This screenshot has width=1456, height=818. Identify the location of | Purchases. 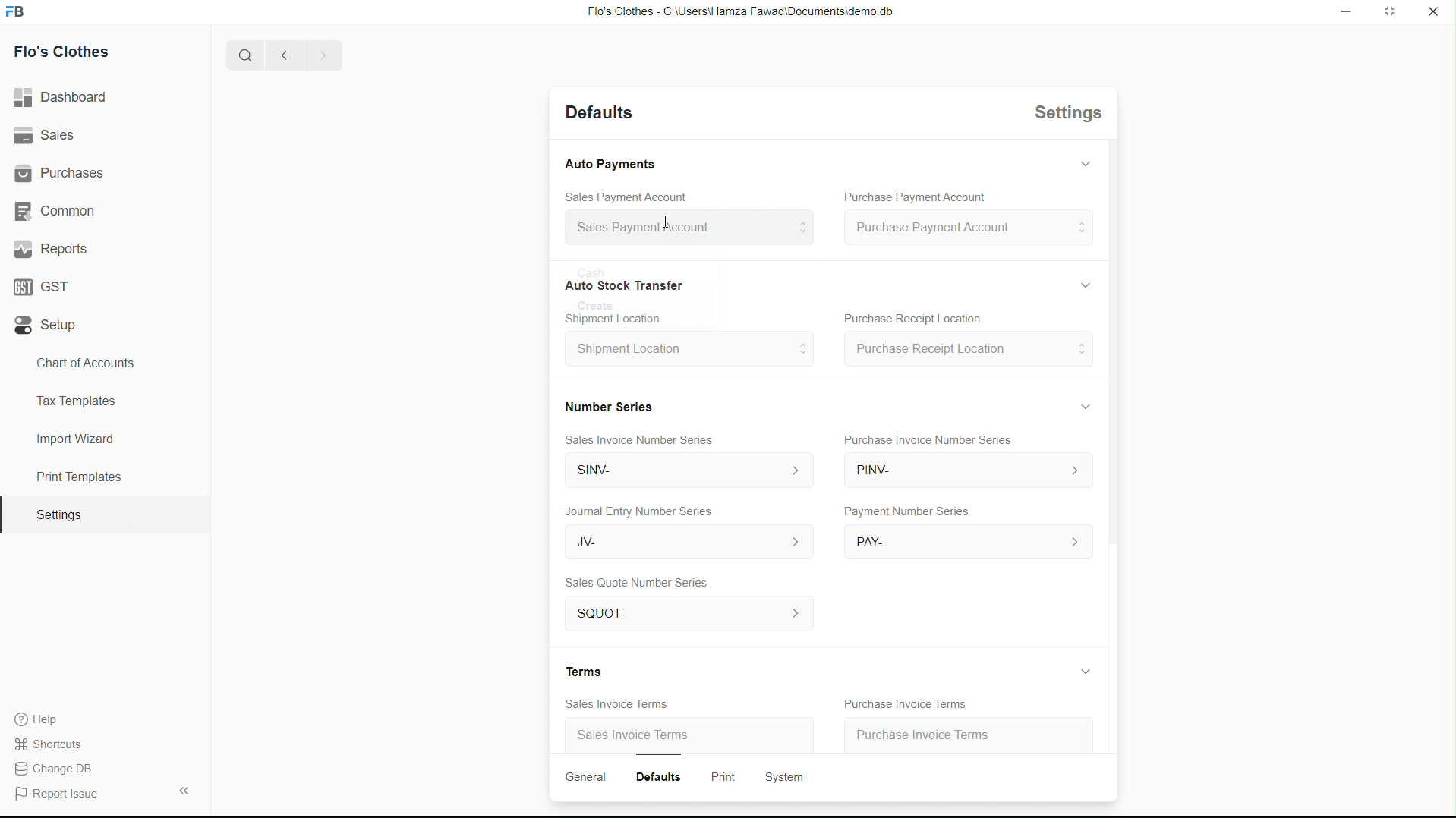
(66, 171).